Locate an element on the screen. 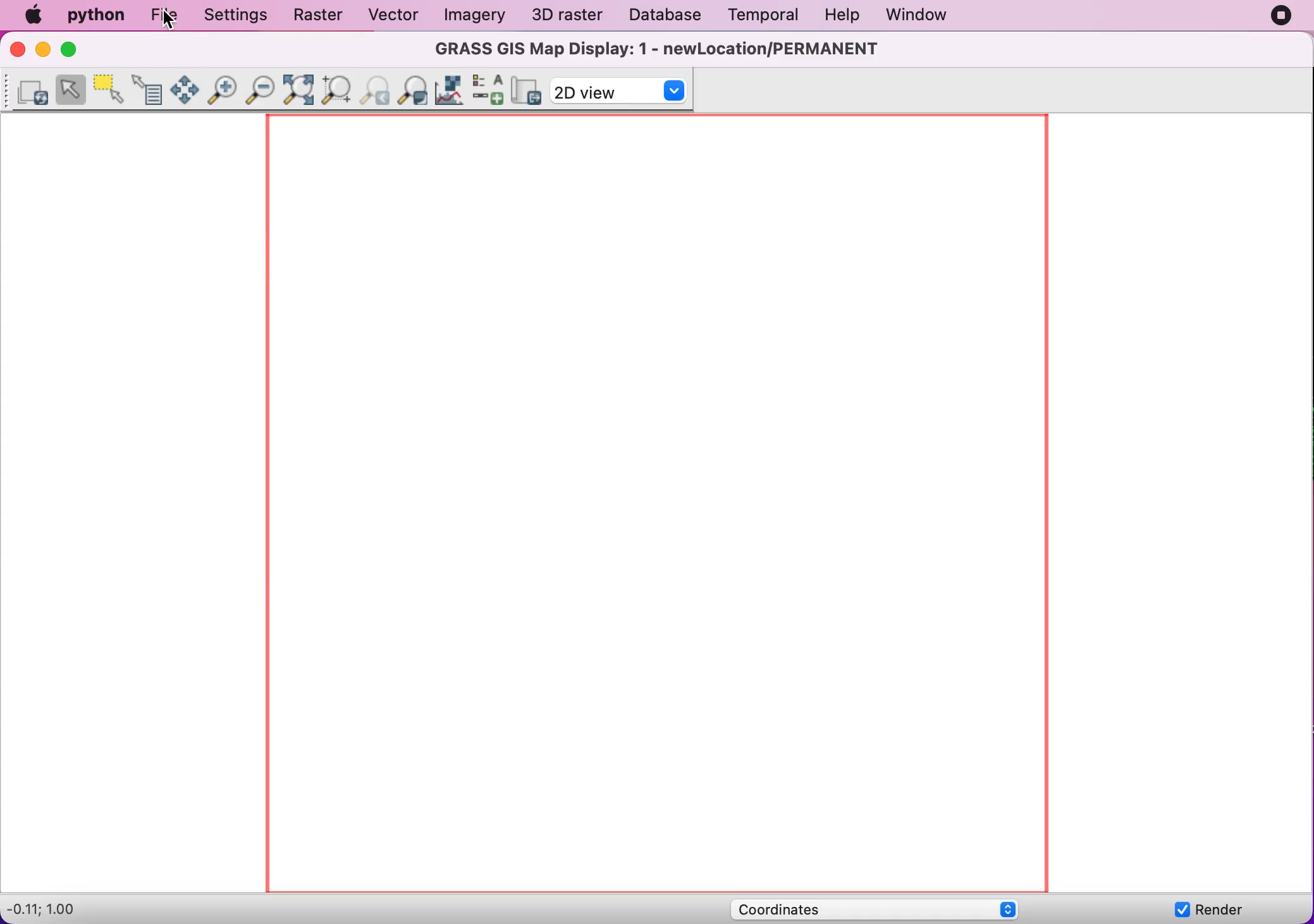 This screenshot has height=924, width=1314. file is located at coordinates (163, 18).